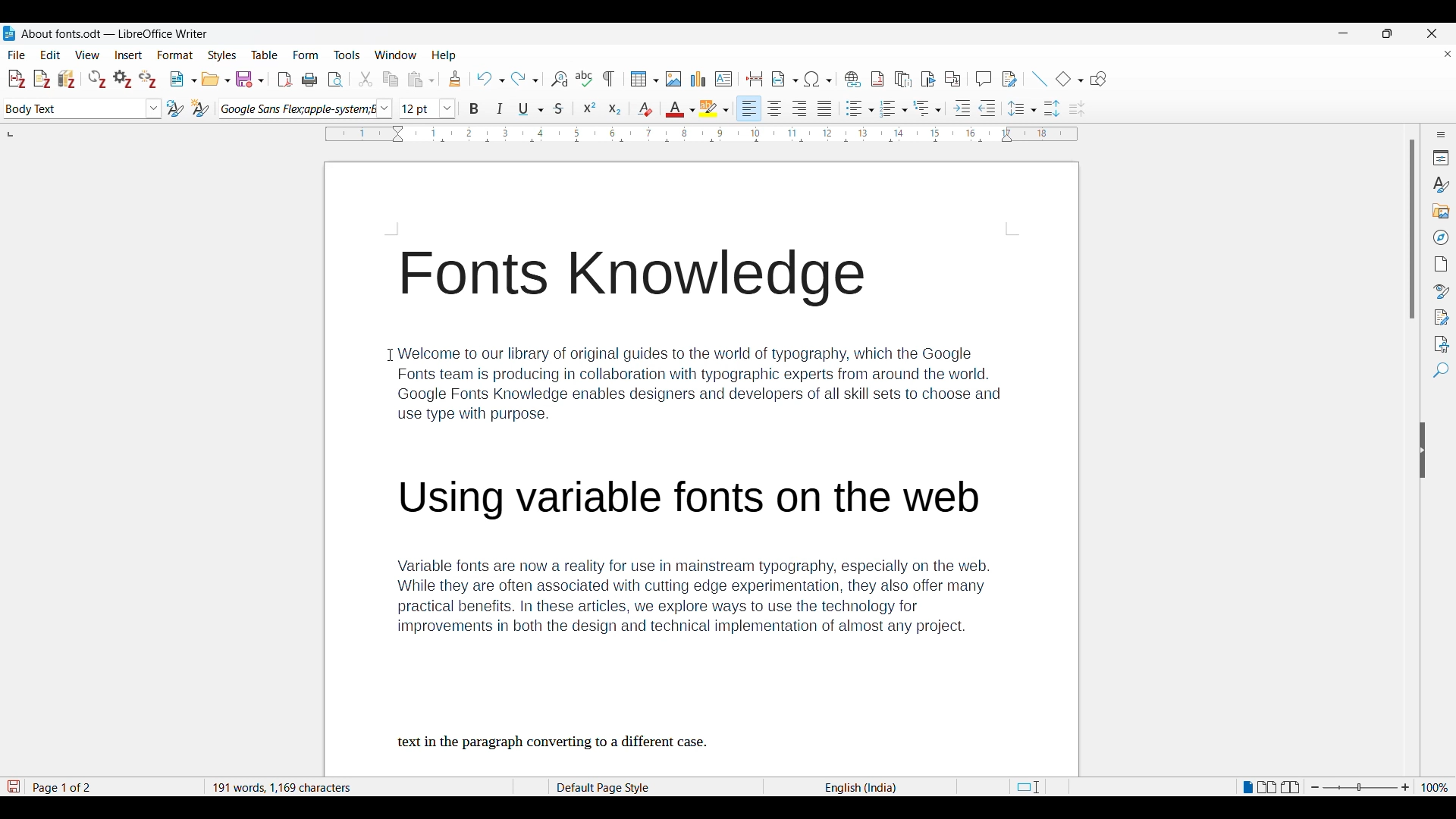 Image resolution: width=1456 pixels, height=819 pixels. I want to click on Minimize, so click(1344, 33).